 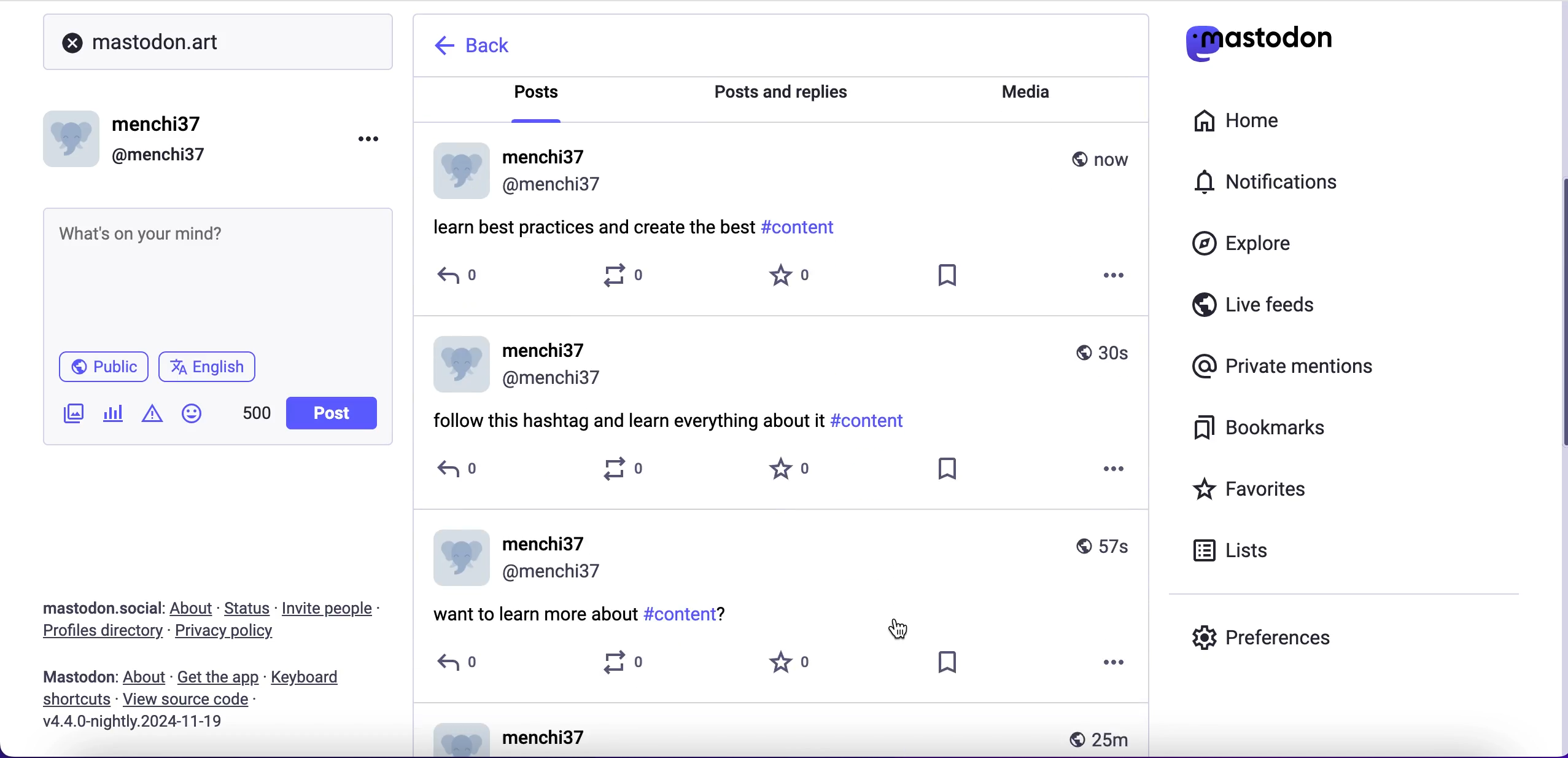 I want to click on 0 favorites, so click(x=785, y=277).